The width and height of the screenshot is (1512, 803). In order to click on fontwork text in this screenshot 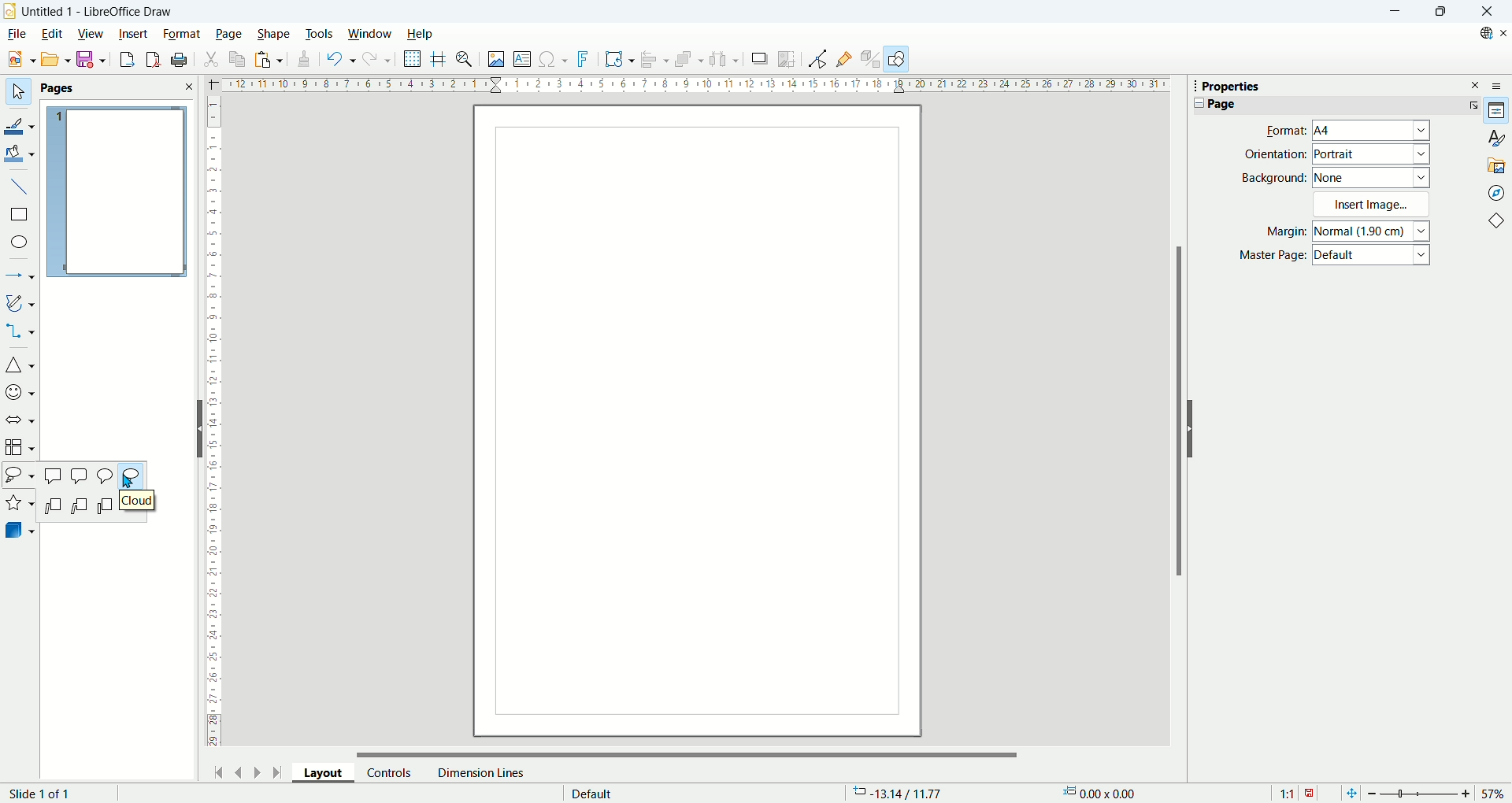, I will do `click(619, 60)`.